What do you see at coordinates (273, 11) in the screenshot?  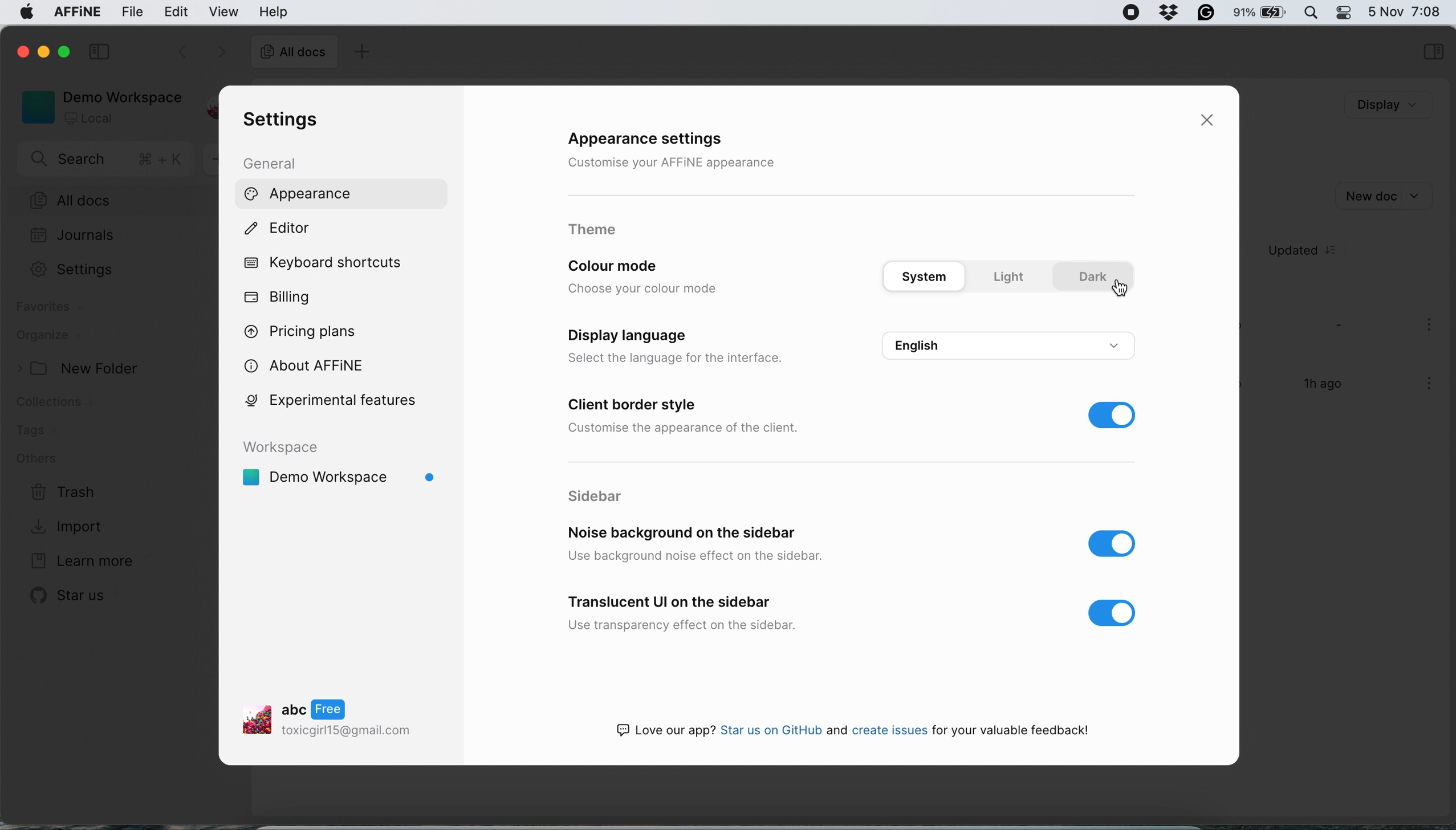 I see `help` at bounding box center [273, 11].